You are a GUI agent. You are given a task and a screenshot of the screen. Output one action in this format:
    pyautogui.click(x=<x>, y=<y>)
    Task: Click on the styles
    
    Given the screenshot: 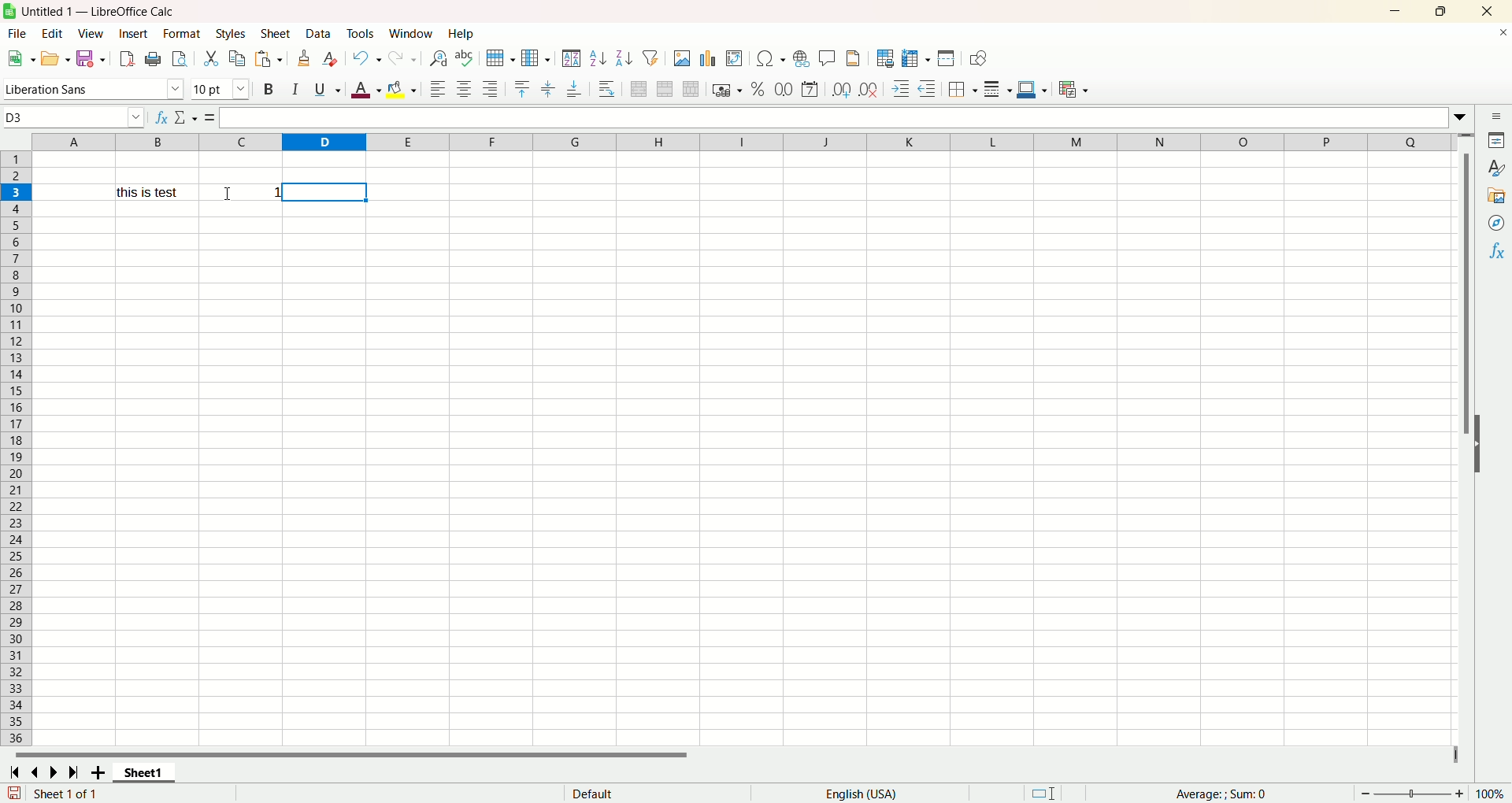 What is the action you would take?
    pyautogui.click(x=1496, y=168)
    